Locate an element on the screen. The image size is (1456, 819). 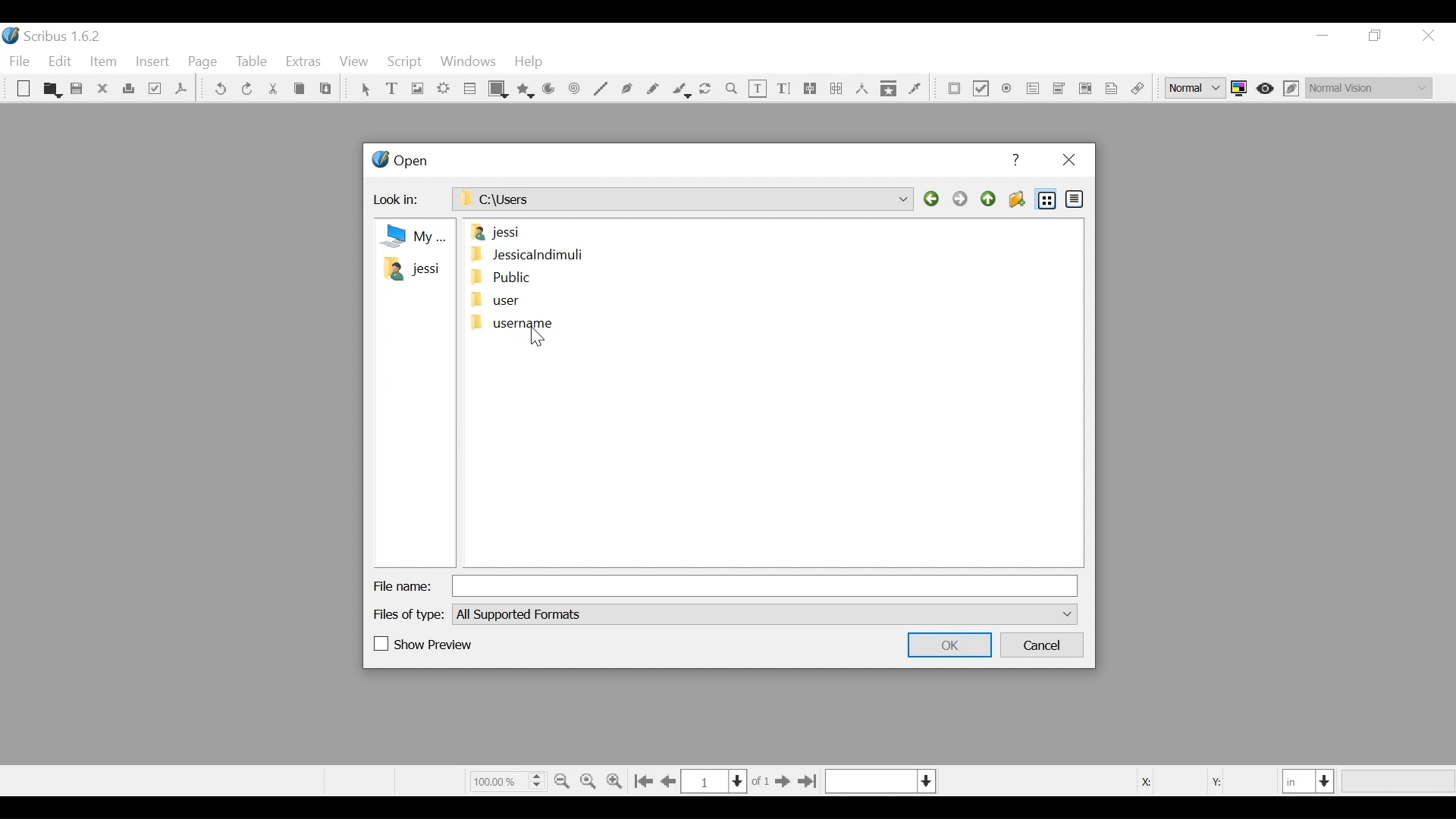
Image Frame is located at coordinates (416, 89).